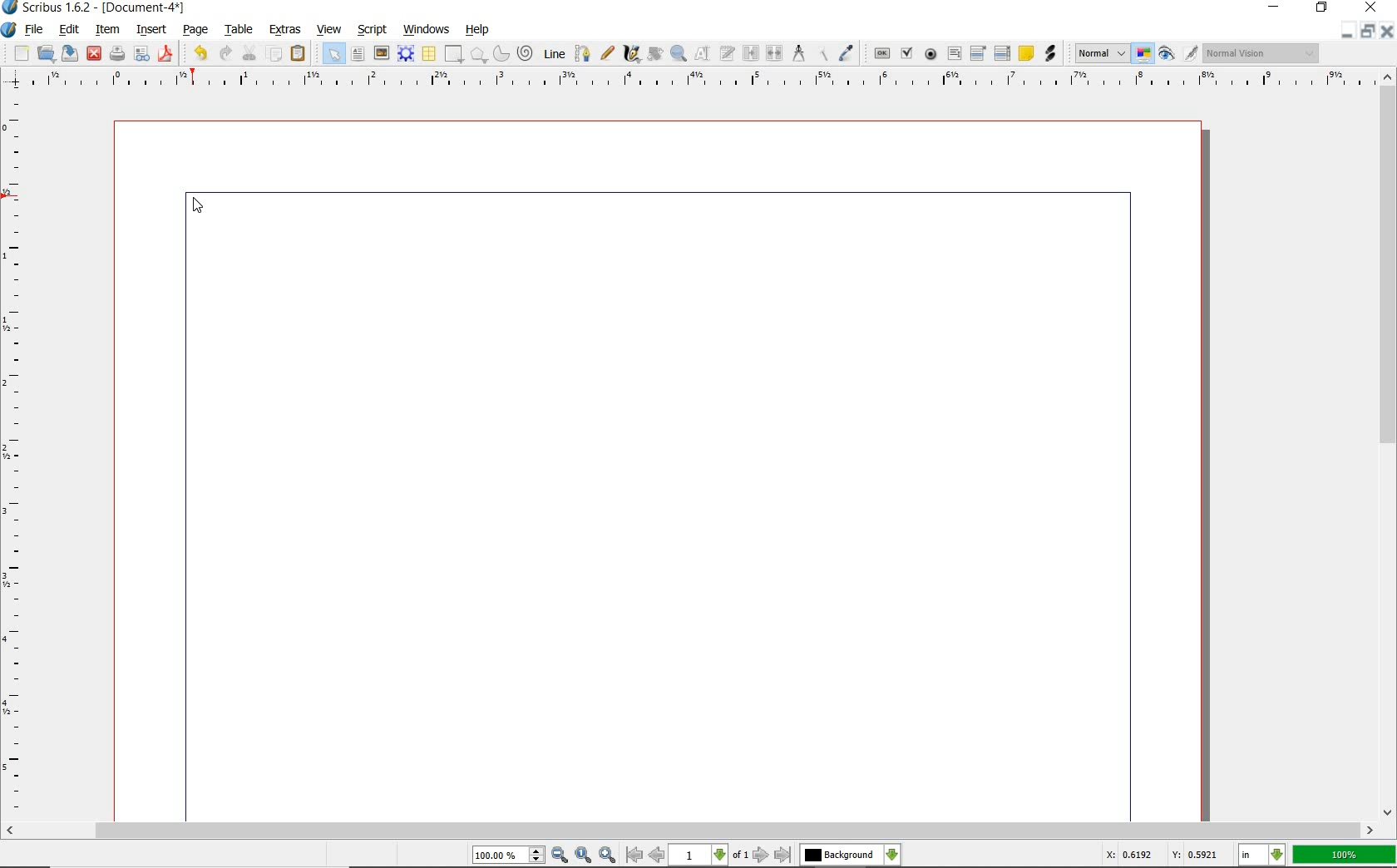  I want to click on file, so click(36, 31).